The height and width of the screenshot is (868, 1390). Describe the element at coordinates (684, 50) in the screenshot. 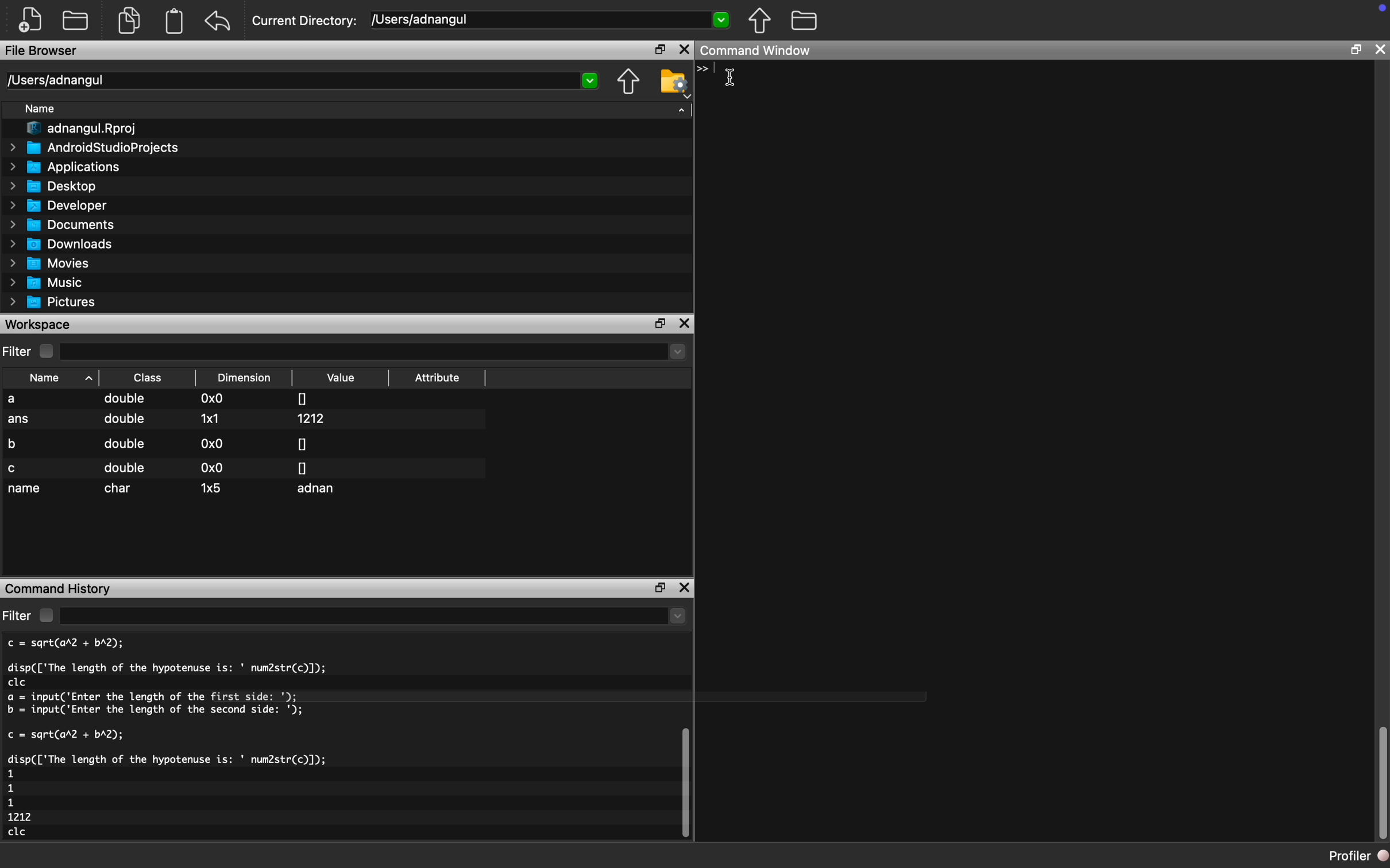

I see `close` at that location.